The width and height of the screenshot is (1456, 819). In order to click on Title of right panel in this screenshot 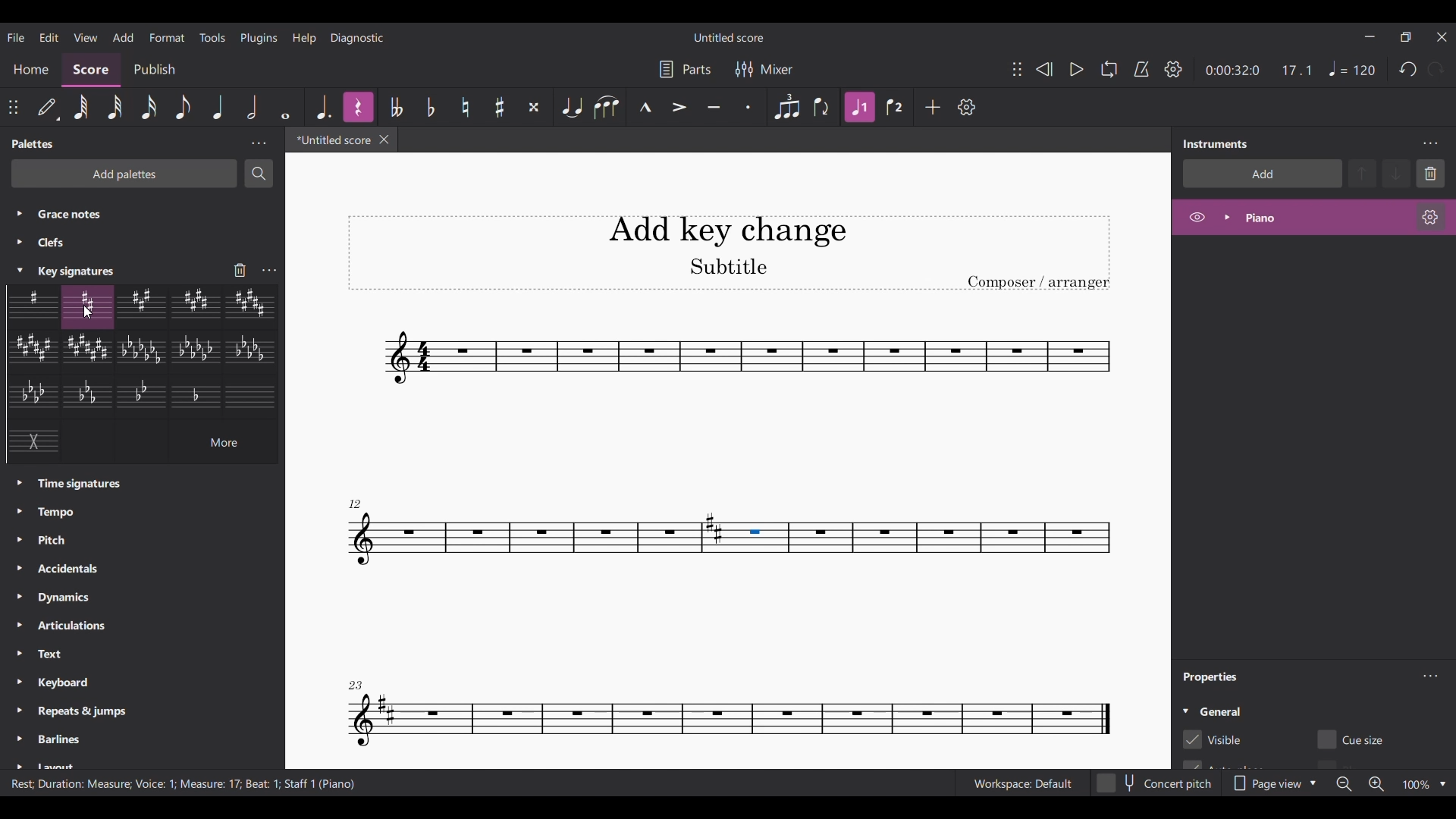, I will do `click(1216, 143)`.